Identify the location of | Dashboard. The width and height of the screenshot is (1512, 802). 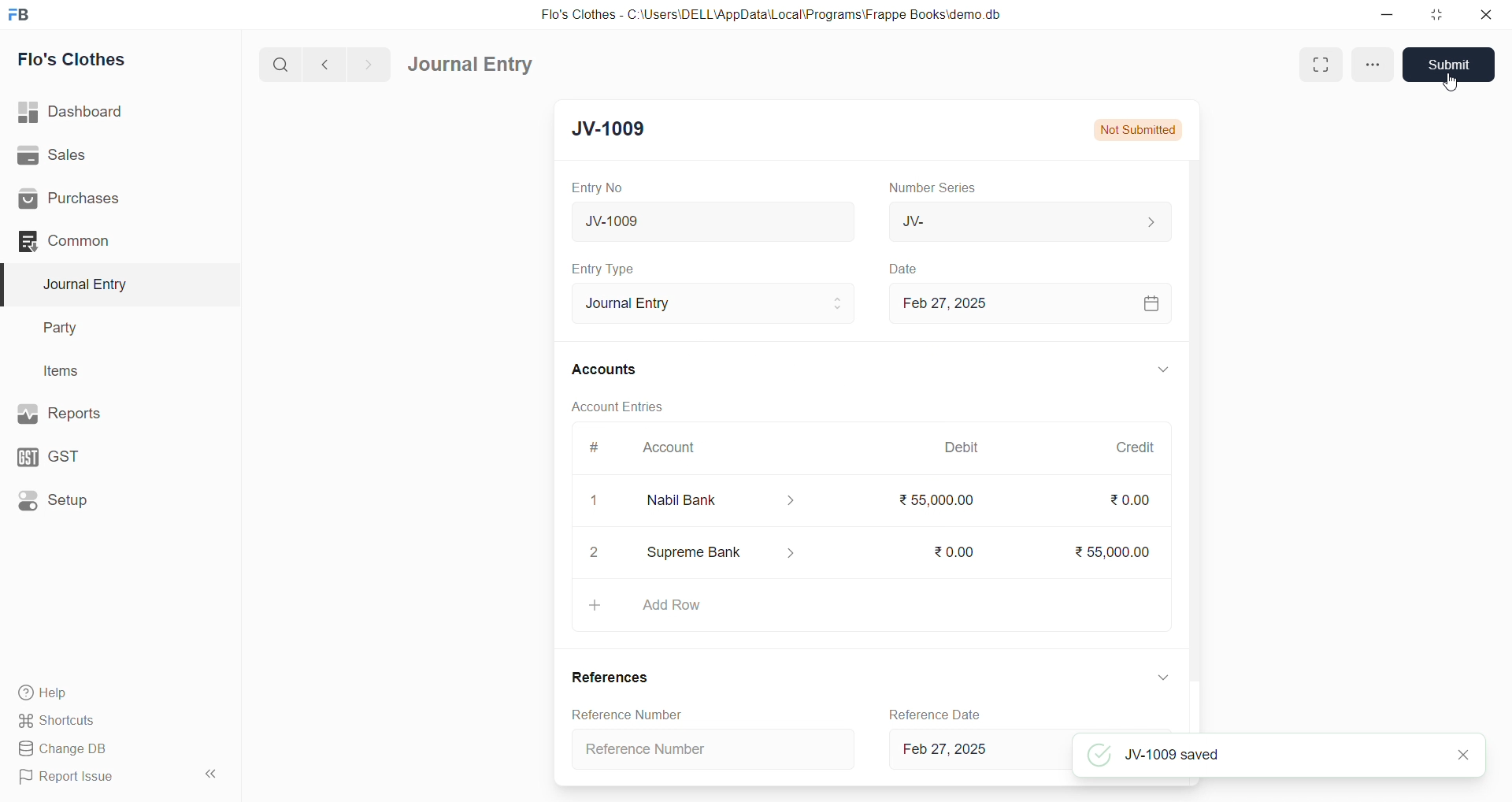
(86, 113).